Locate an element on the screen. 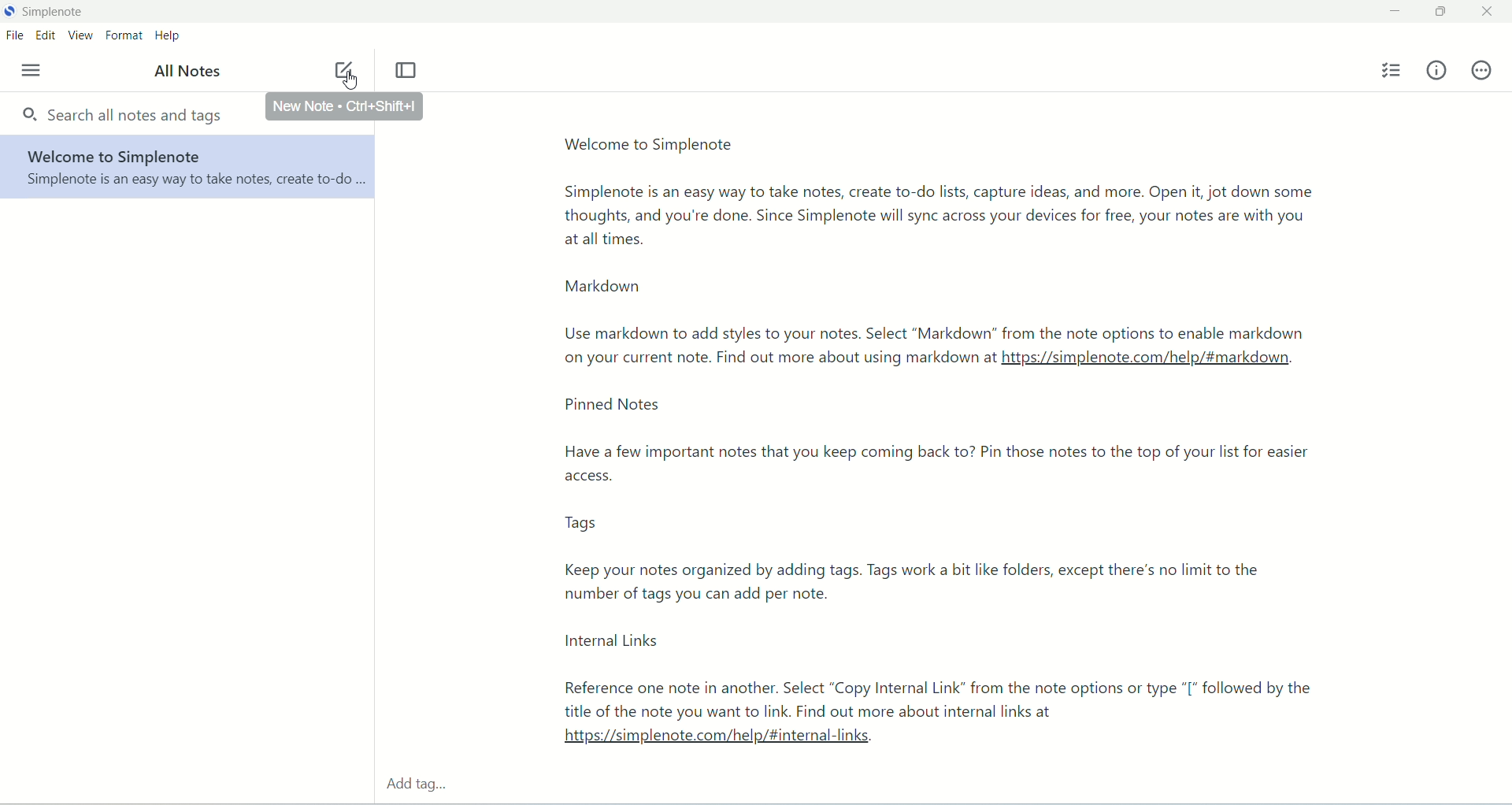  format is located at coordinates (125, 35).